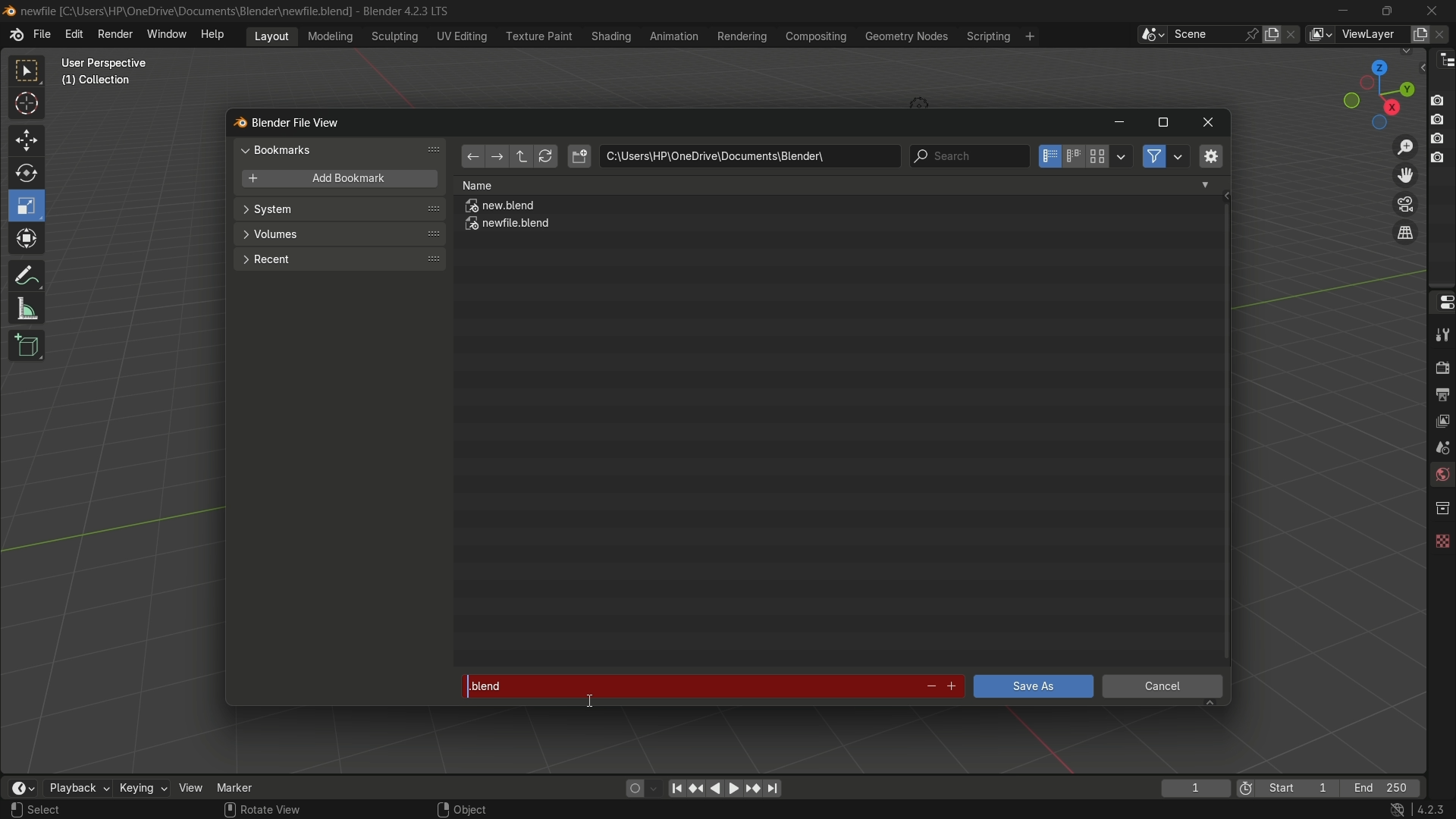  I want to click on outliner, so click(1442, 59).